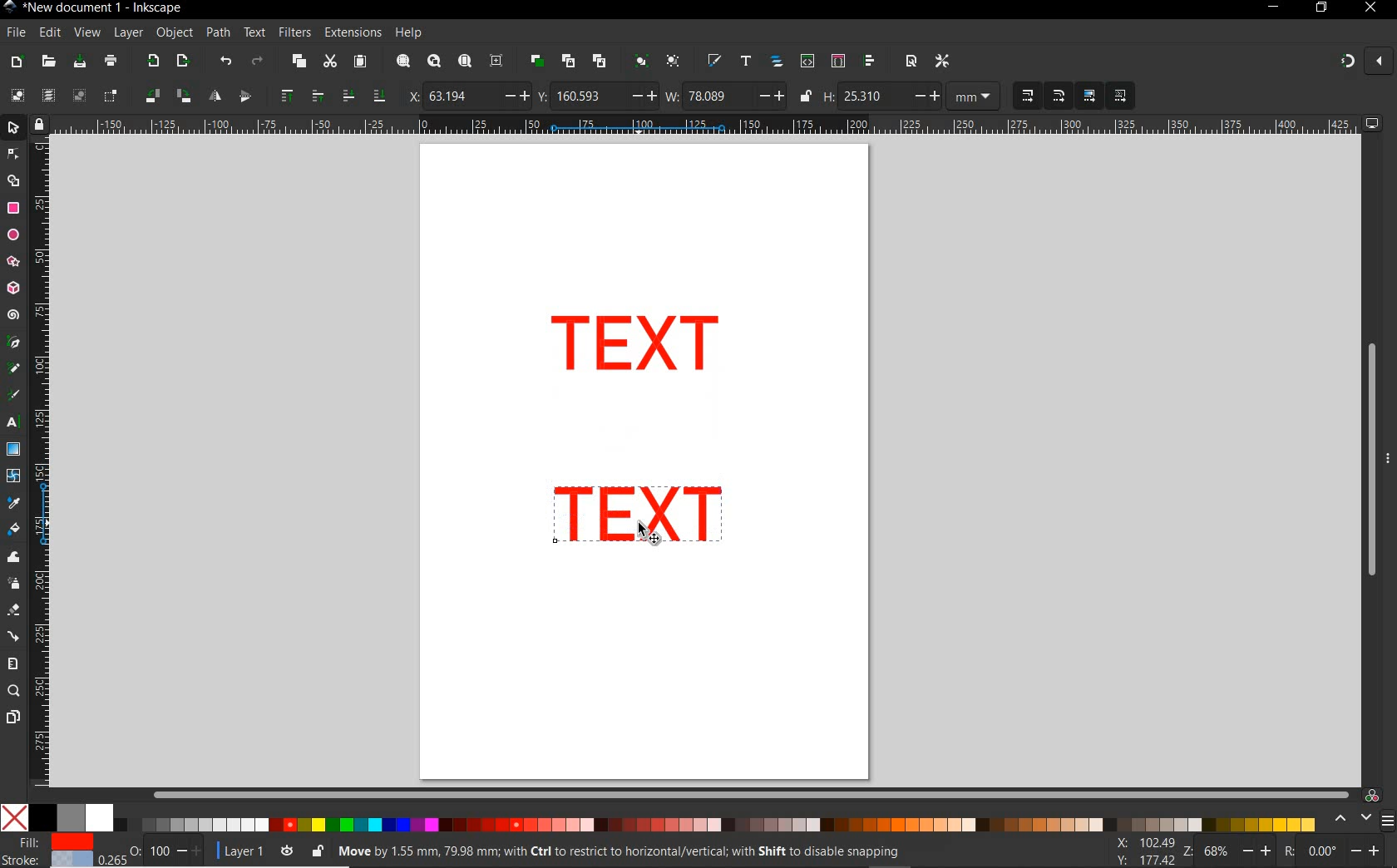 Image resolution: width=1397 pixels, height=868 pixels. Describe the element at coordinates (500, 60) in the screenshot. I see `zoom center page` at that location.